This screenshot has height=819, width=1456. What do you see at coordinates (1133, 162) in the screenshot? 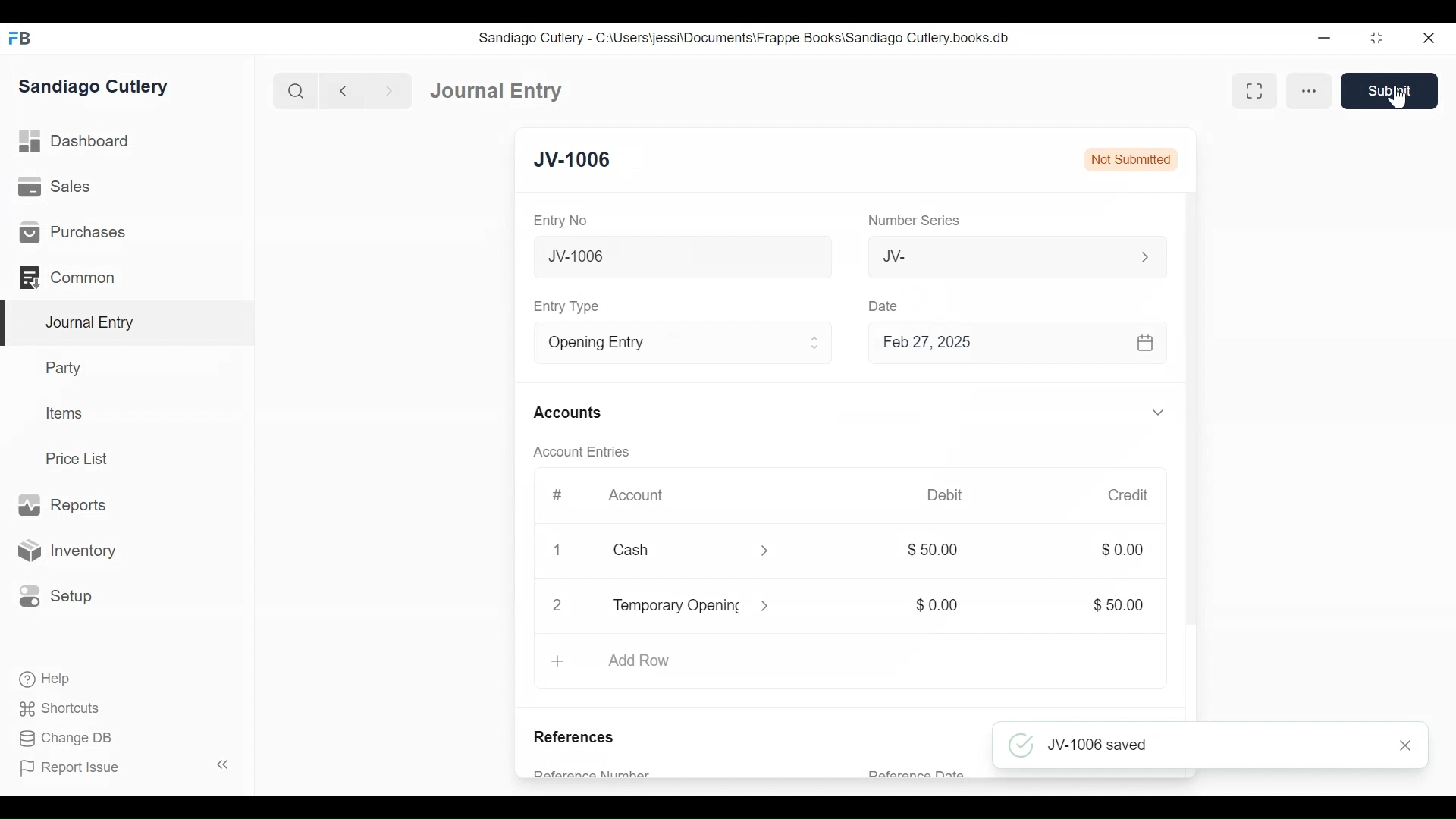
I see `Not Submitted` at bounding box center [1133, 162].